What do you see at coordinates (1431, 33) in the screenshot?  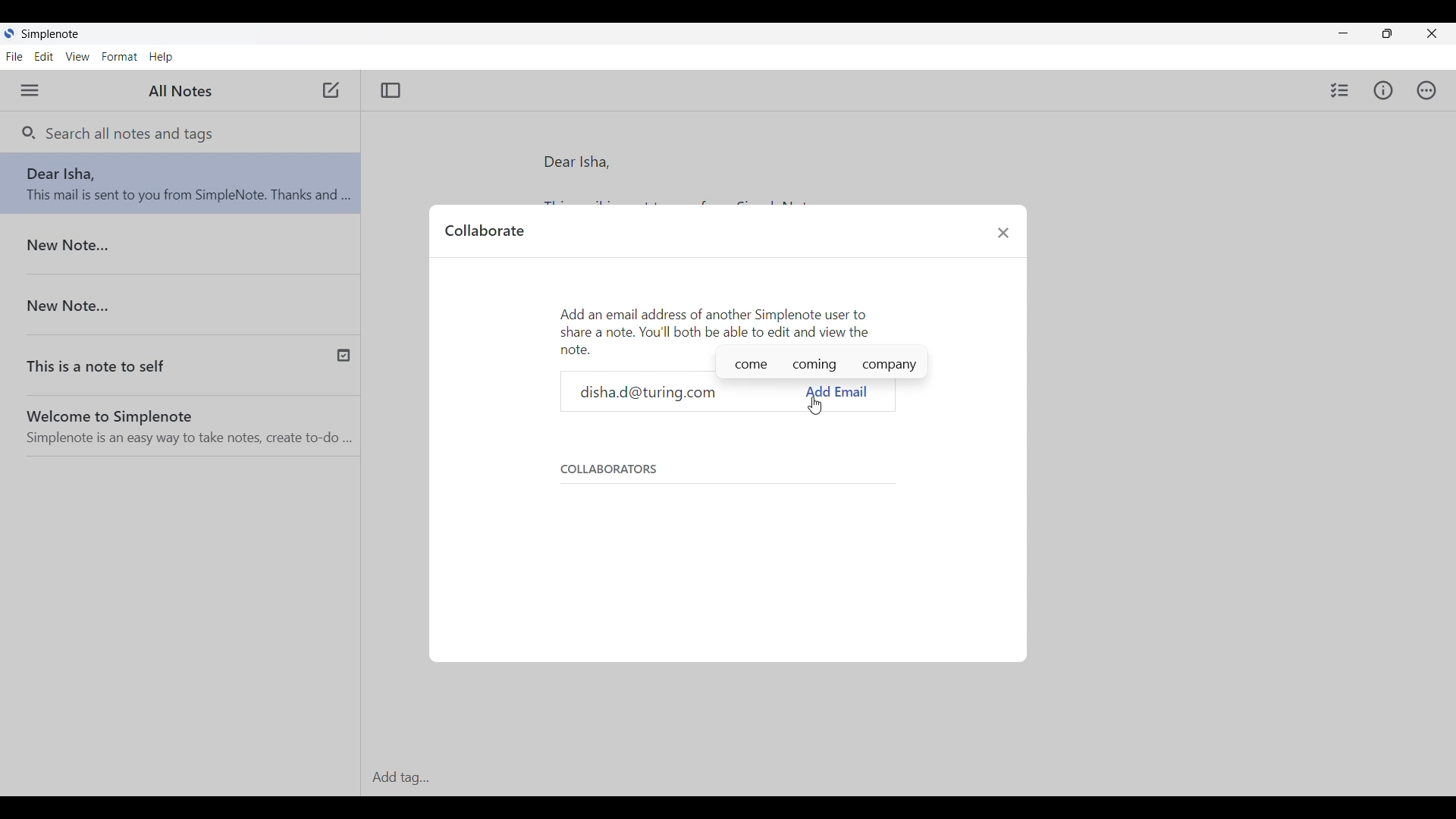 I see `Close` at bounding box center [1431, 33].